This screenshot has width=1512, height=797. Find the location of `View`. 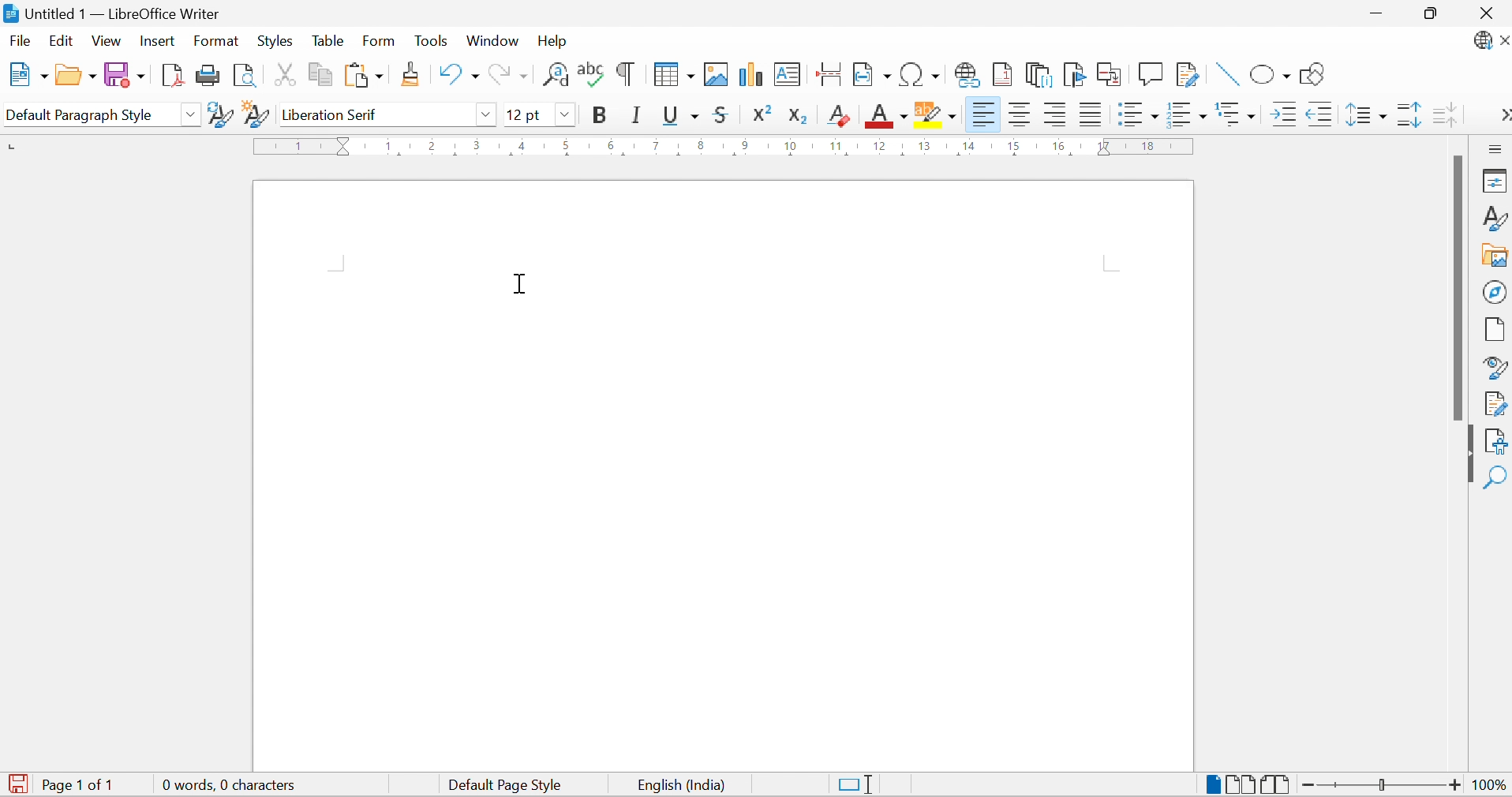

View is located at coordinates (107, 41).